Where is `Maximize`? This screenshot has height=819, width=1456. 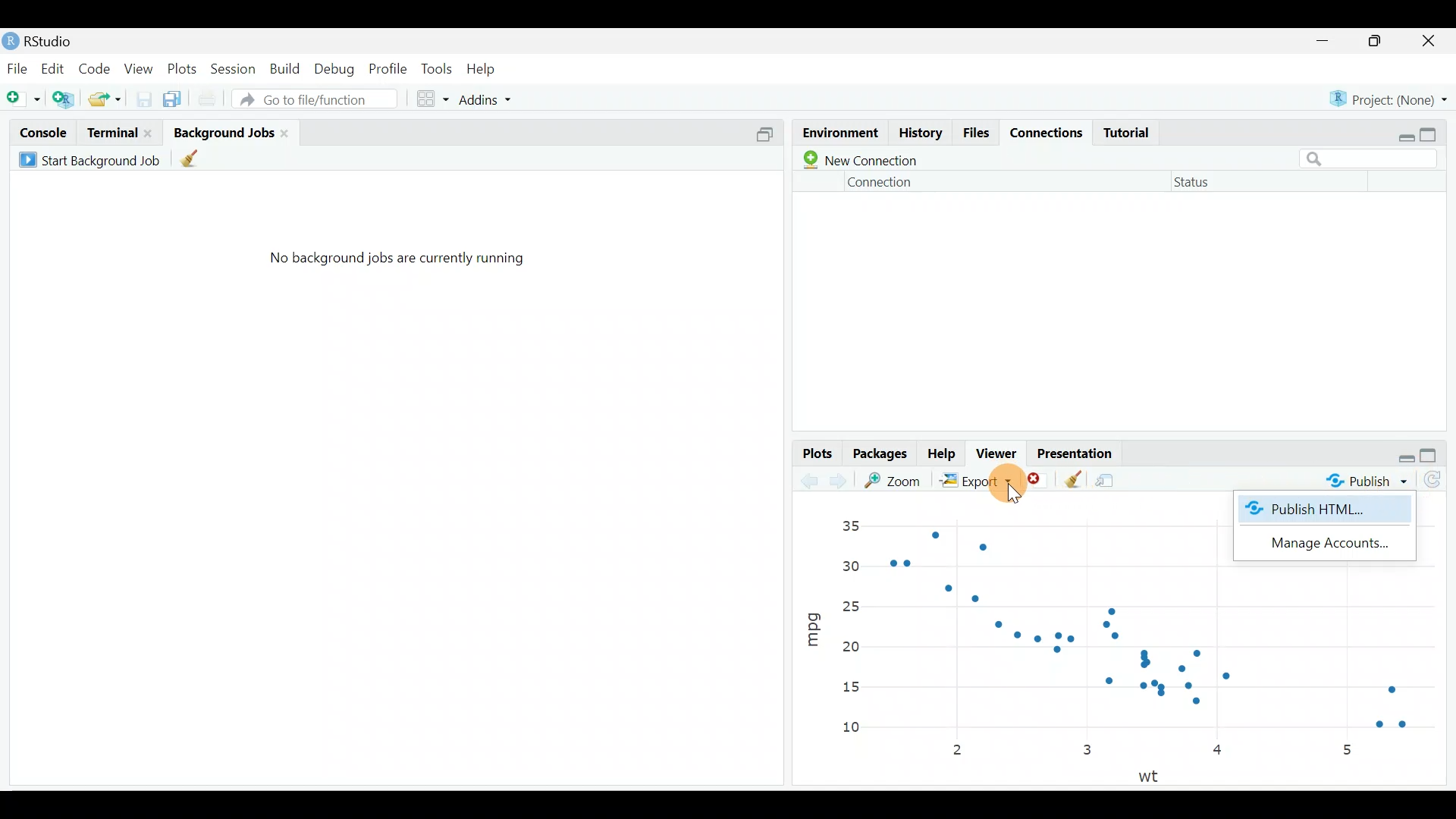
Maximize is located at coordinates (1439, 135).